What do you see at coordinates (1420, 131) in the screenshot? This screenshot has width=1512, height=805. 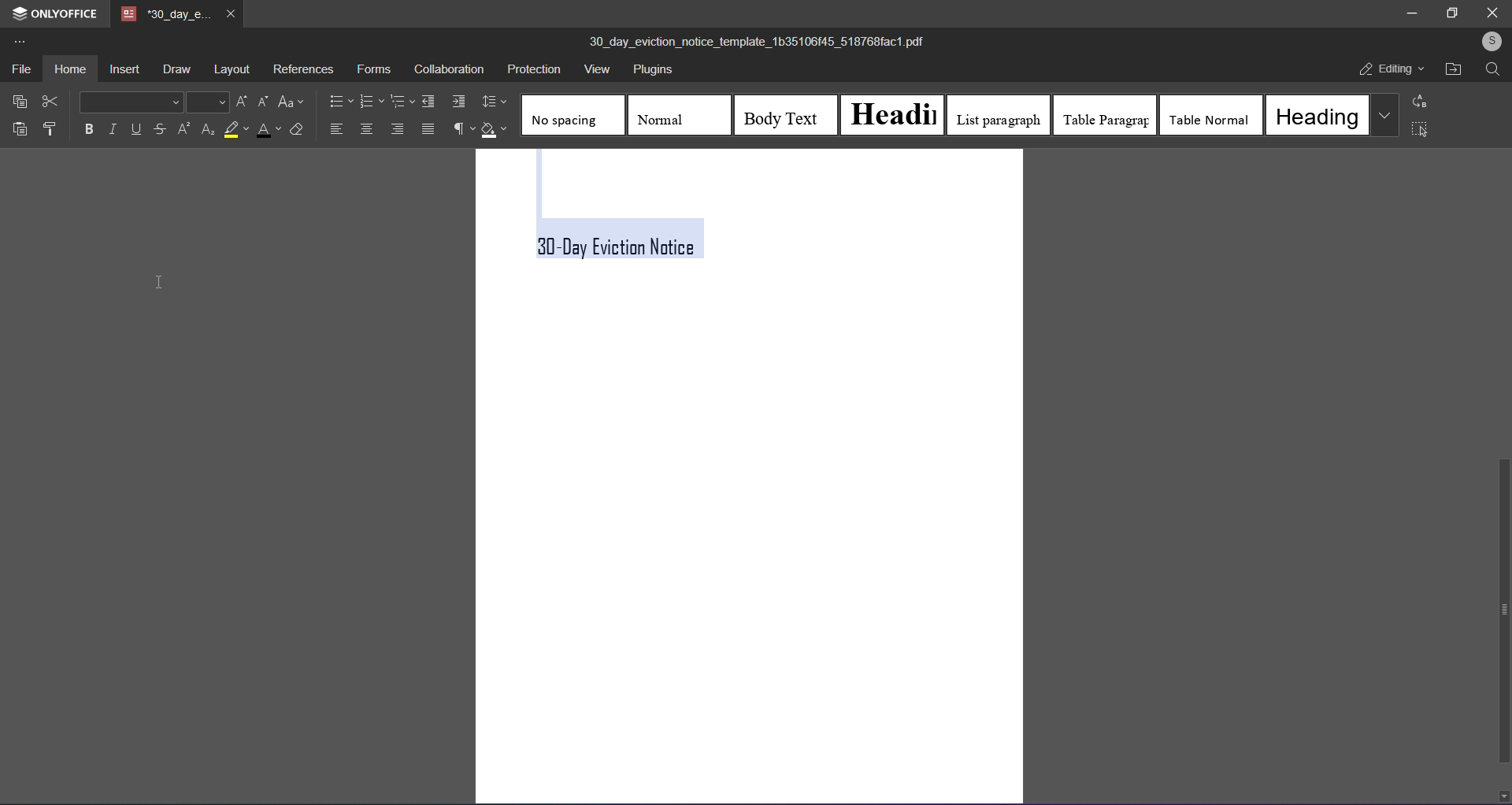 I see `select all` at bounding box center [1420, 131].